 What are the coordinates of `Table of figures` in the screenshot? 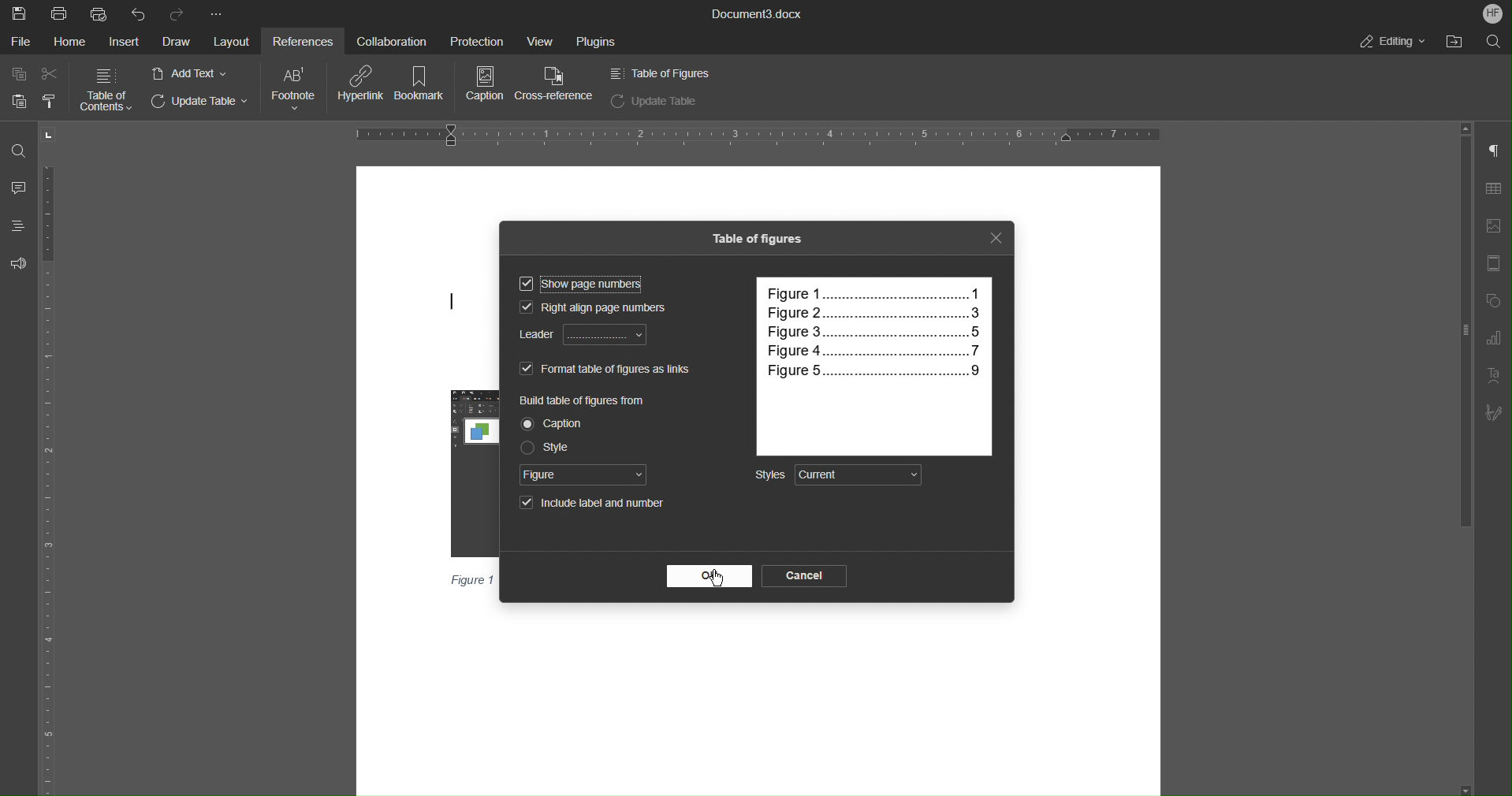 It's located at (756, 240).